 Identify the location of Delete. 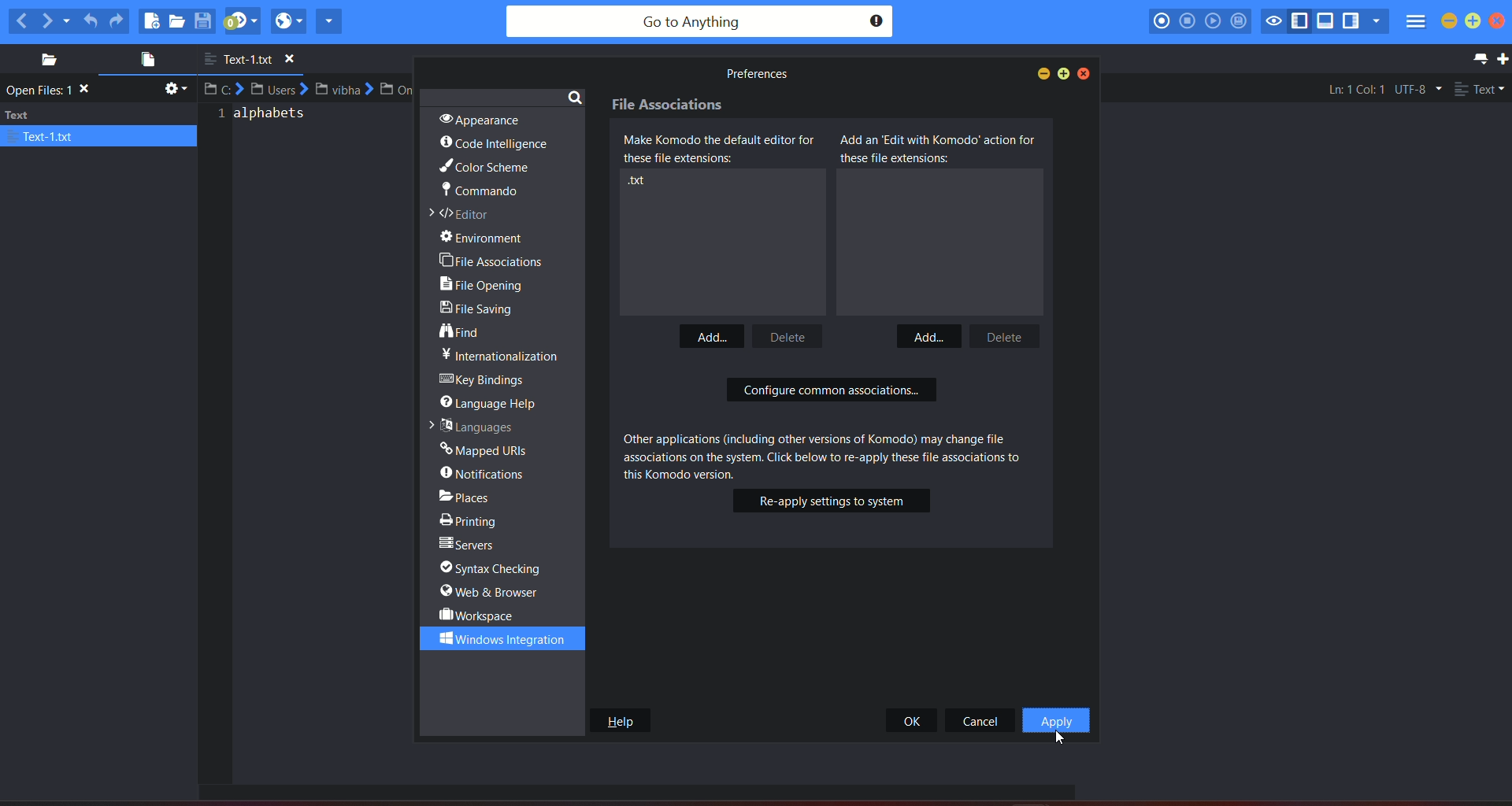
(1012, 335).